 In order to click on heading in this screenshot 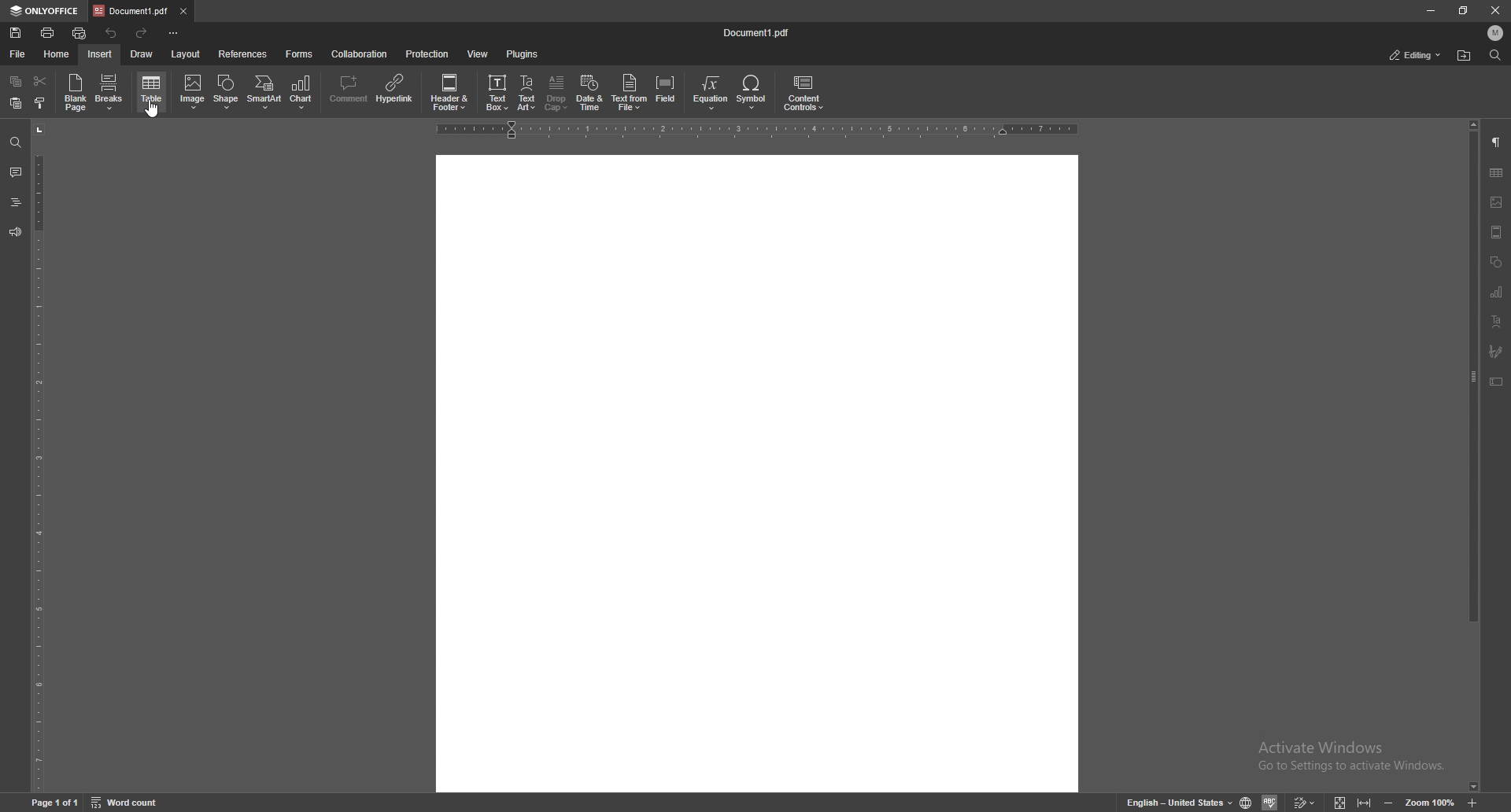, I will do `click(15, 202)`.